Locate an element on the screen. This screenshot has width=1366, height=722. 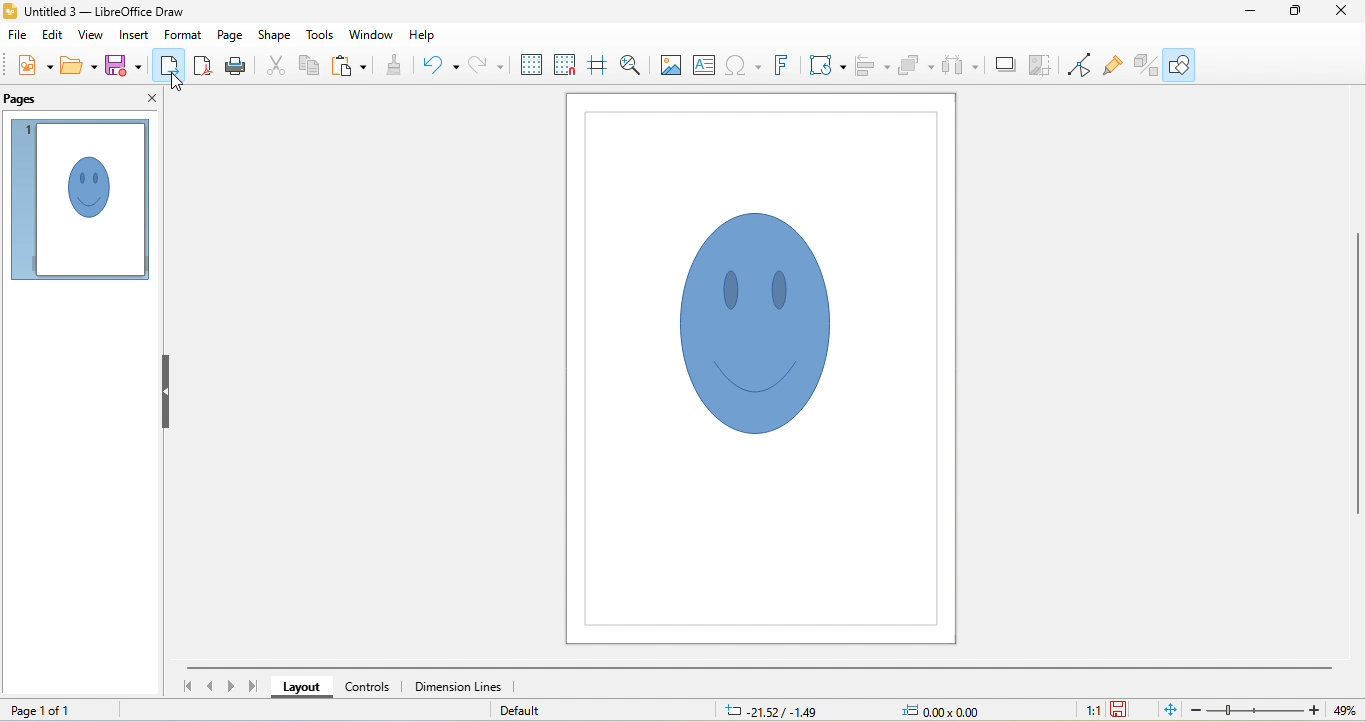
align objects is located at coordinates (872, 68).